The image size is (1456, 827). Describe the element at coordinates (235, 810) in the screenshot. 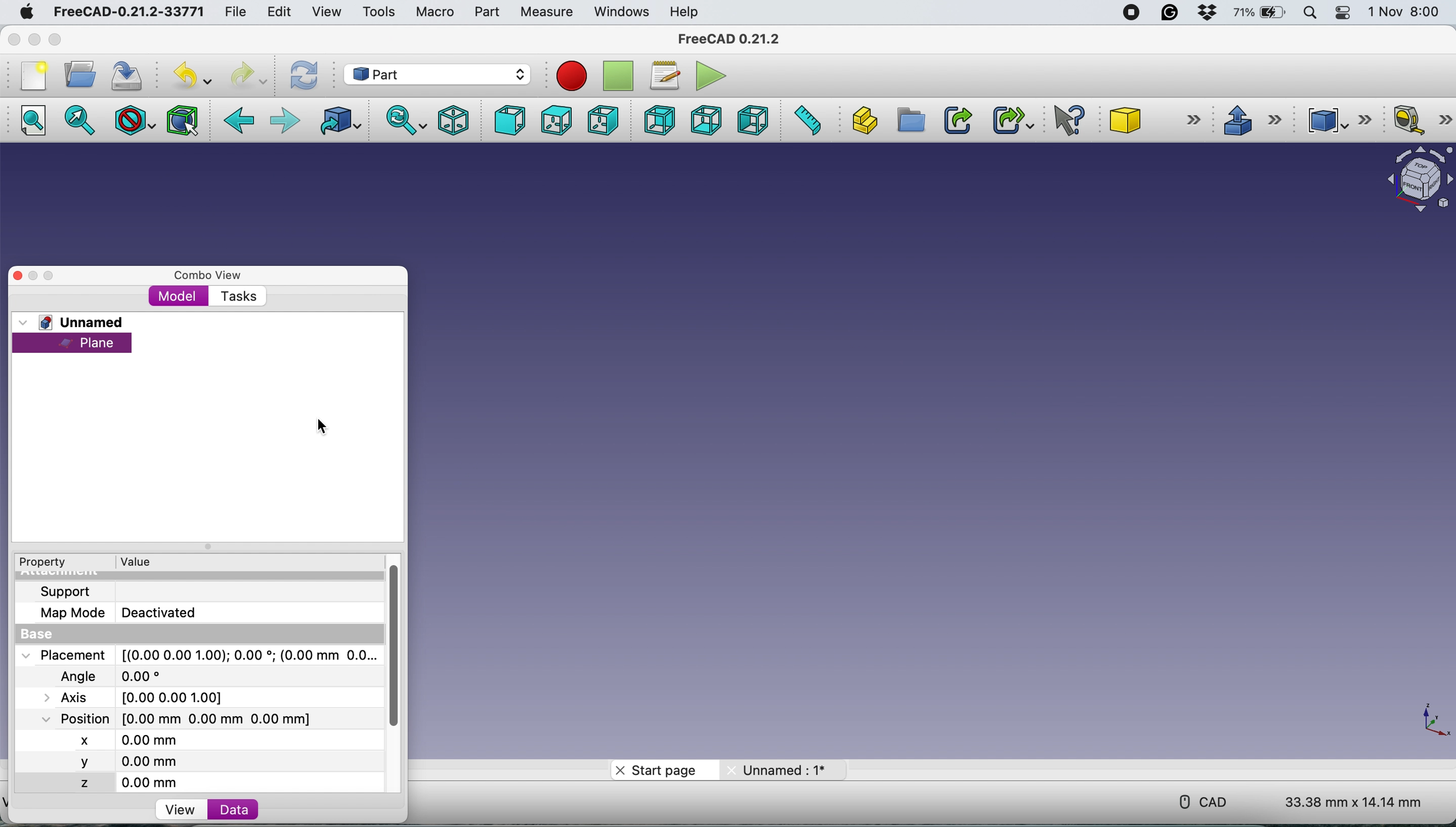

I see `data` at that location.